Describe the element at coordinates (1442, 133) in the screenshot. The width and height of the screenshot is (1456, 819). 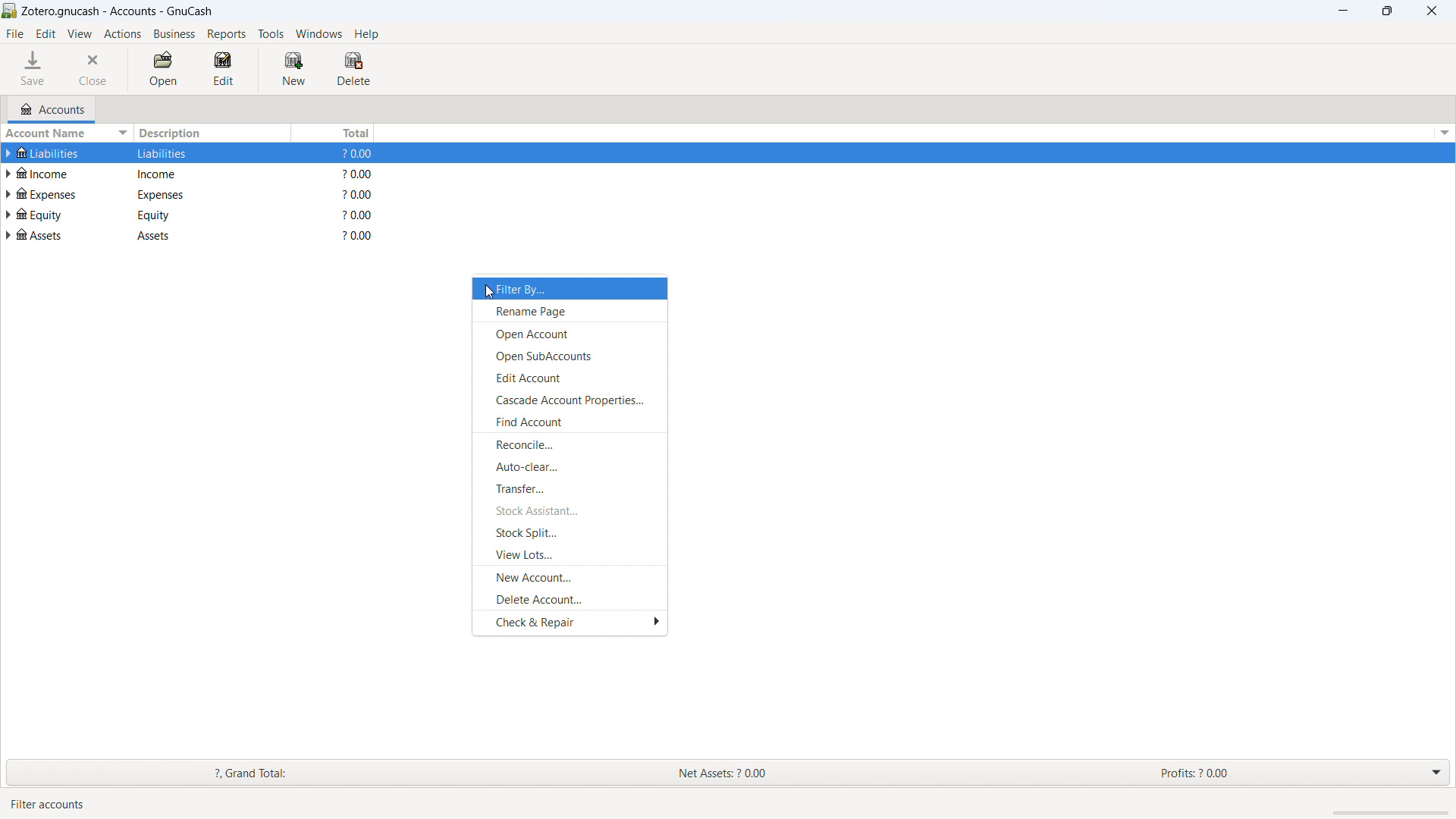
I see `options` at that location.